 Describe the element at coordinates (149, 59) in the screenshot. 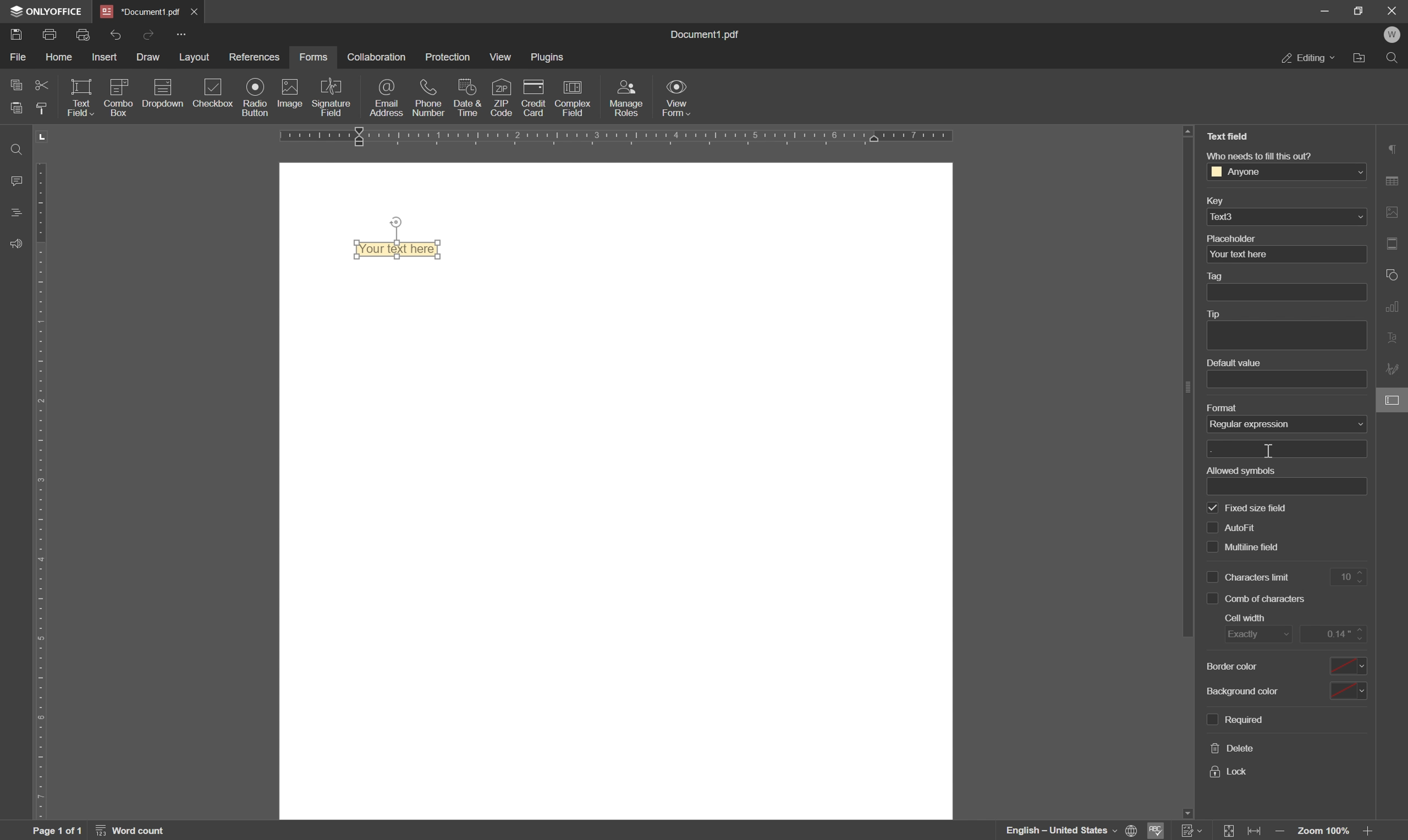

I see `draw` at that location.